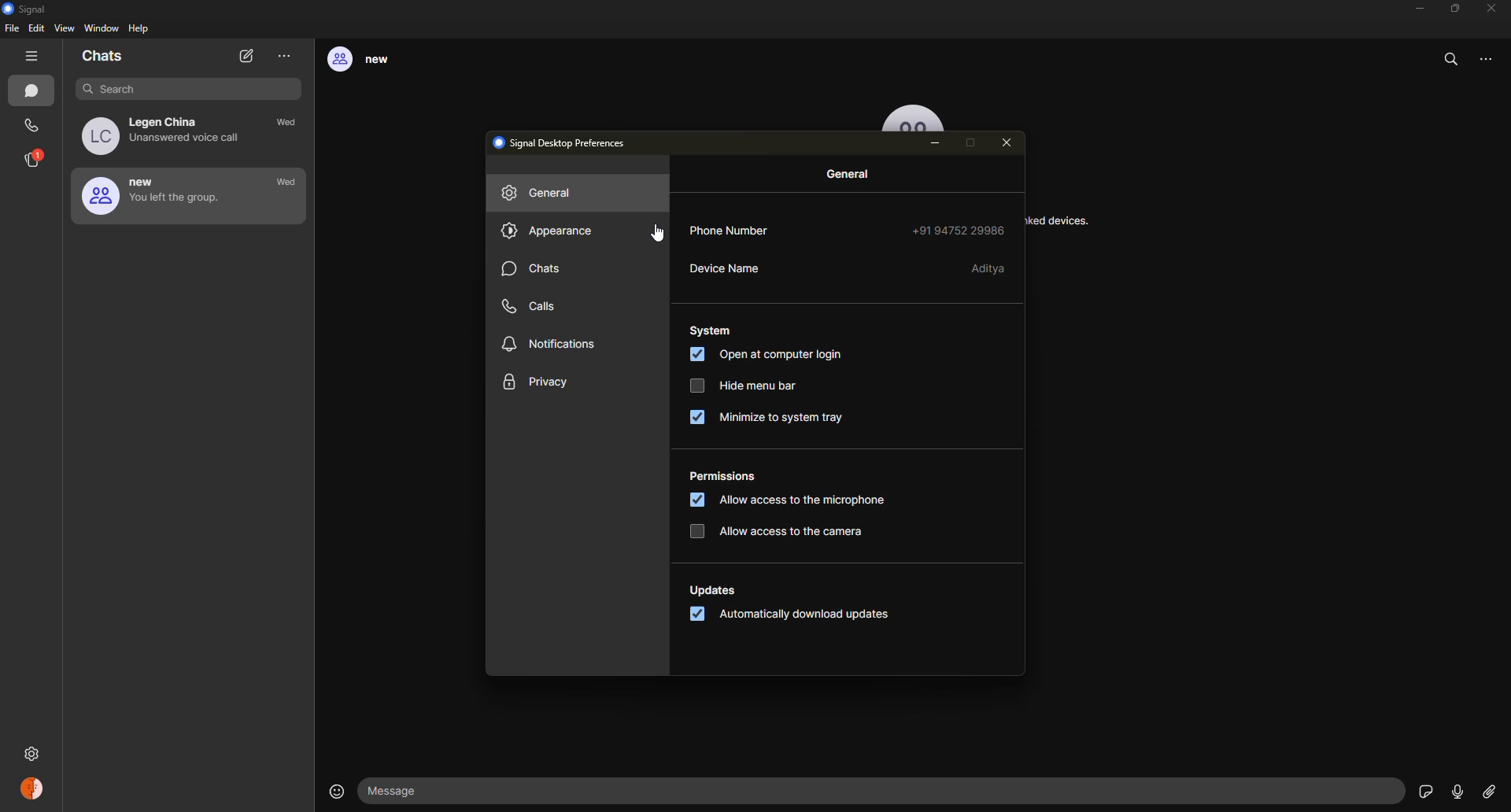 This screenshot has width=1511, height=812. I want to click on chats, so click(534, 271).